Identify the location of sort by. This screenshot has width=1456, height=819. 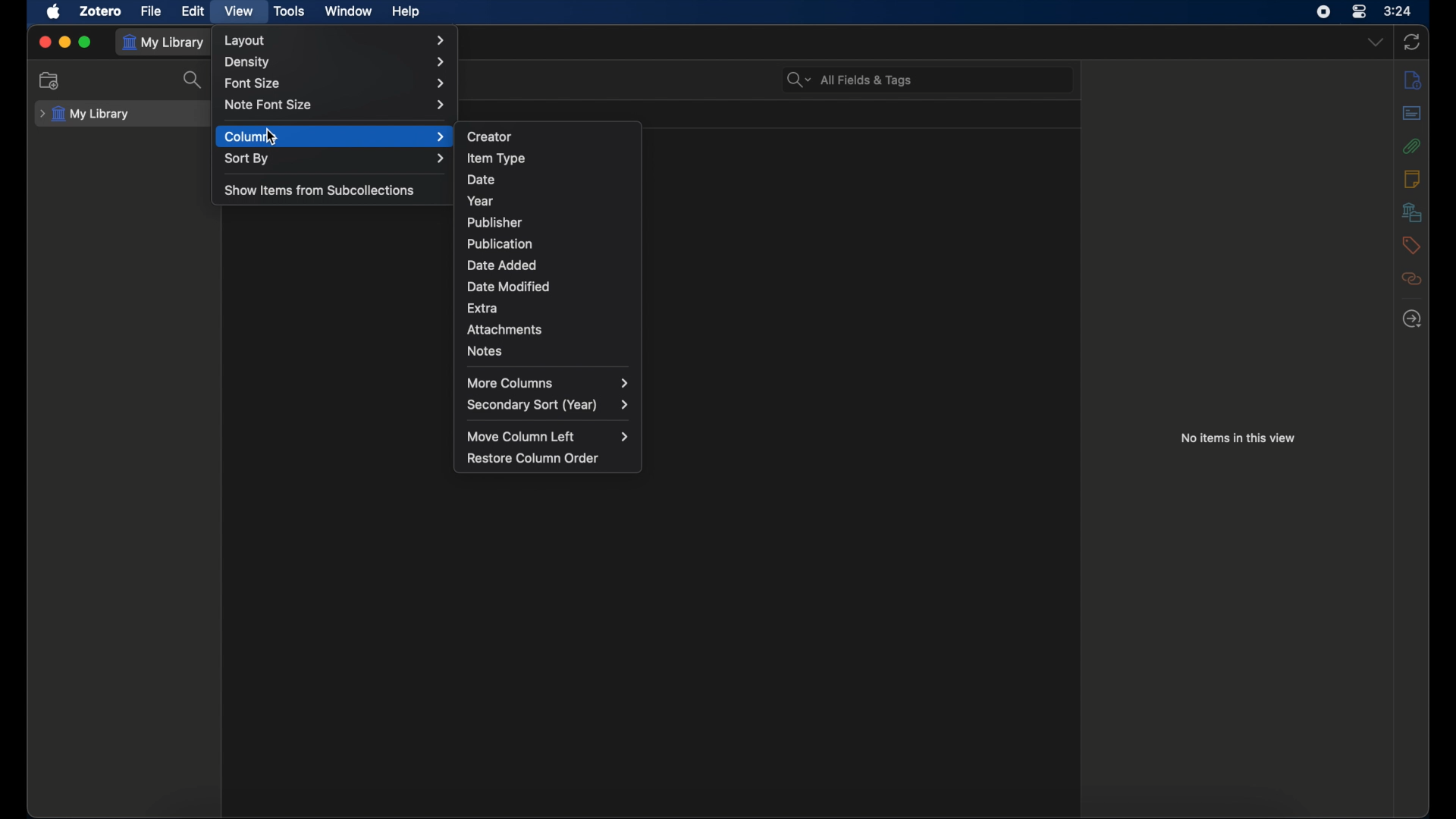
(337, 159).